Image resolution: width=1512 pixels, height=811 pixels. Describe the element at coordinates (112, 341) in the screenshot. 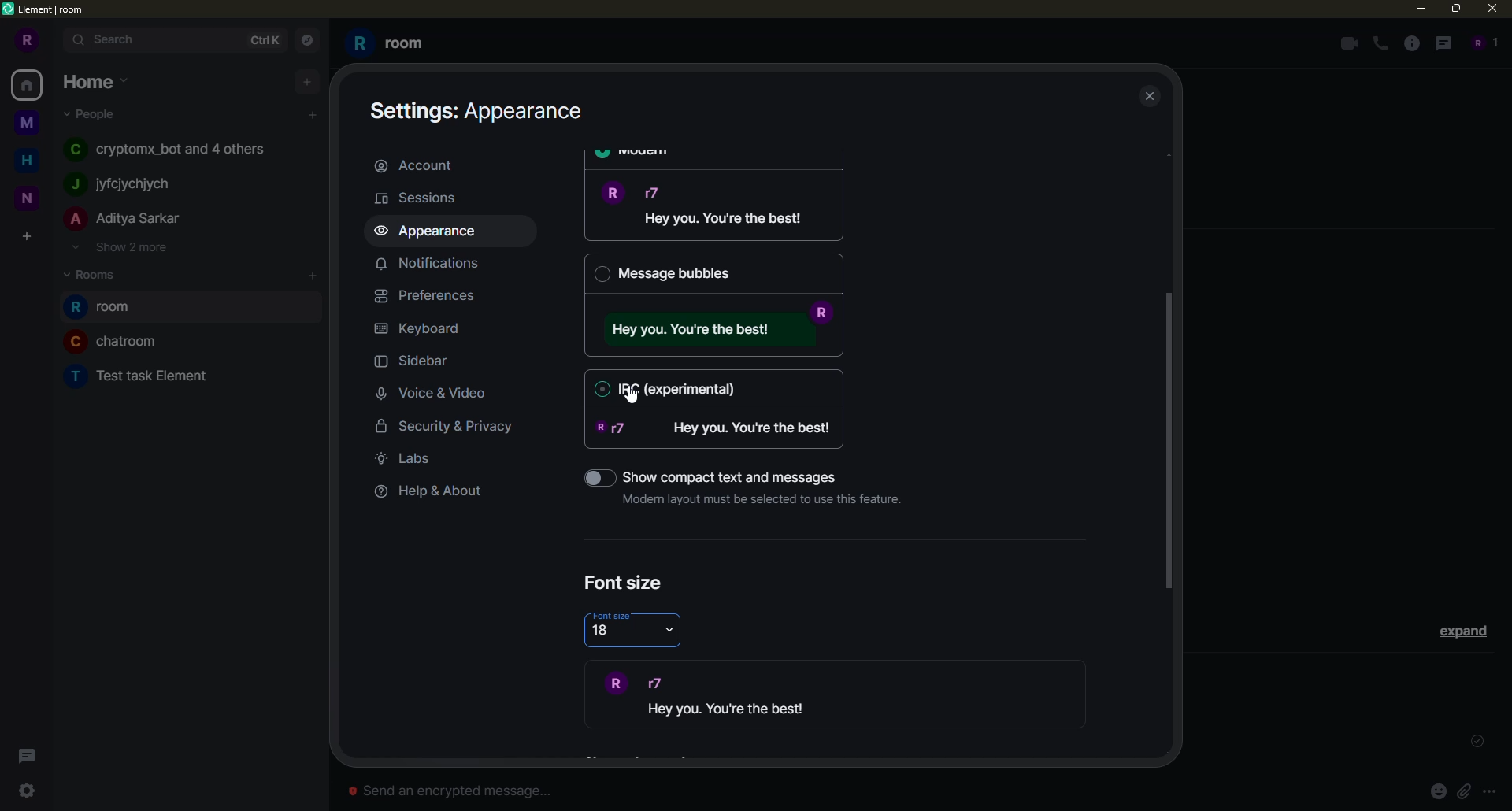

I see `room` at that location.